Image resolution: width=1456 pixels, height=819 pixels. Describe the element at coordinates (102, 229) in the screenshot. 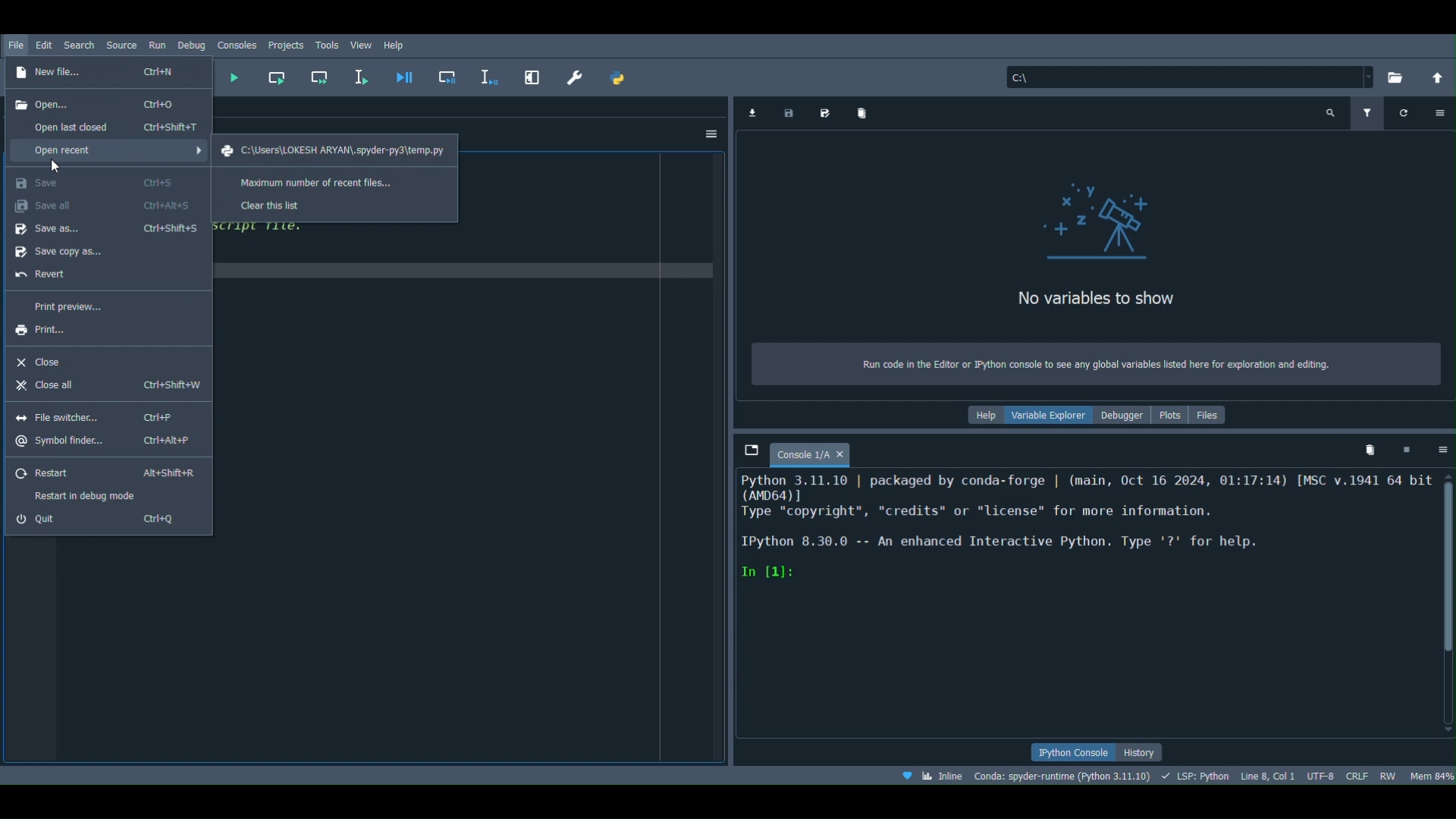

I see `Save as` at that location.